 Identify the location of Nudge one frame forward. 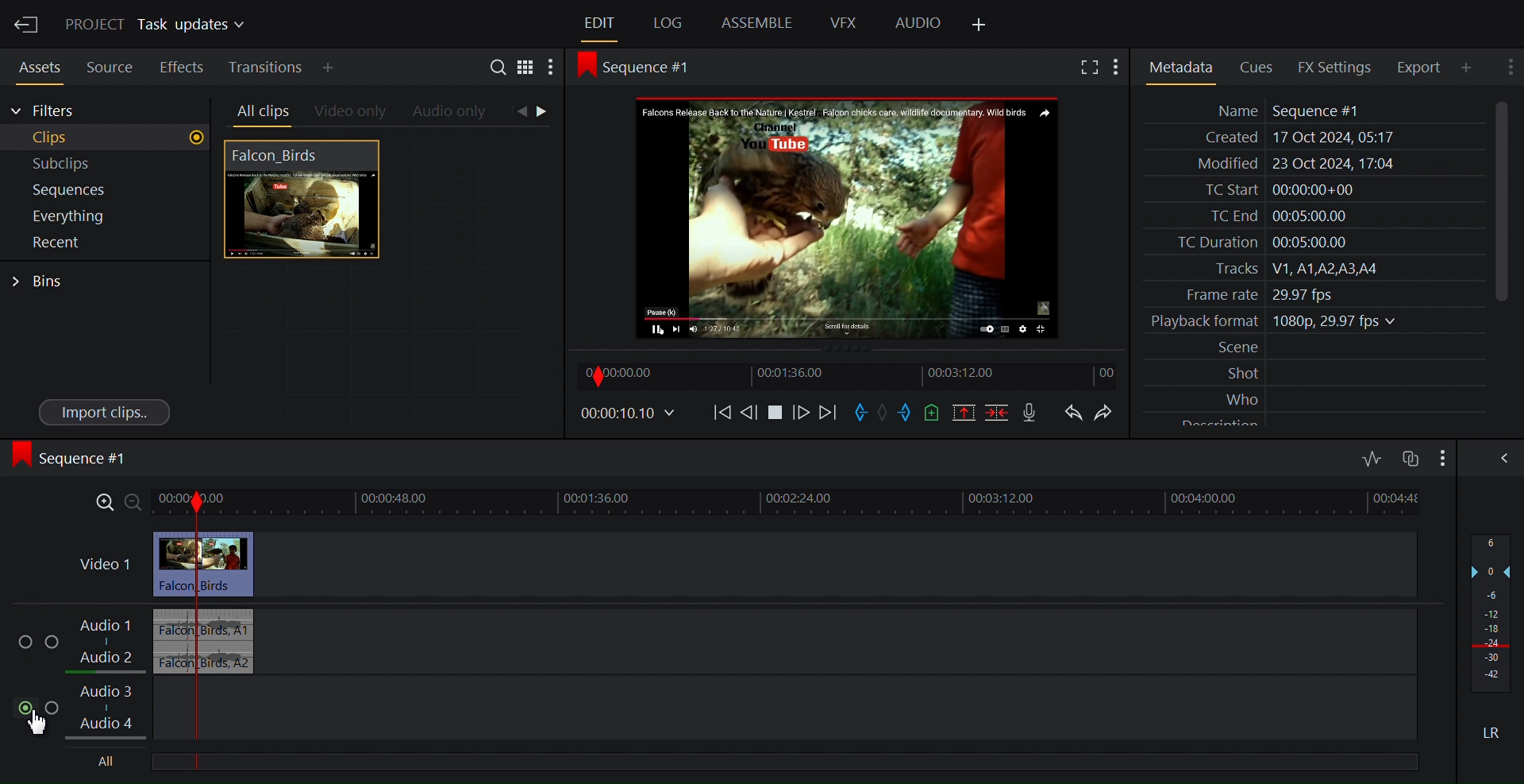
(803, 416).